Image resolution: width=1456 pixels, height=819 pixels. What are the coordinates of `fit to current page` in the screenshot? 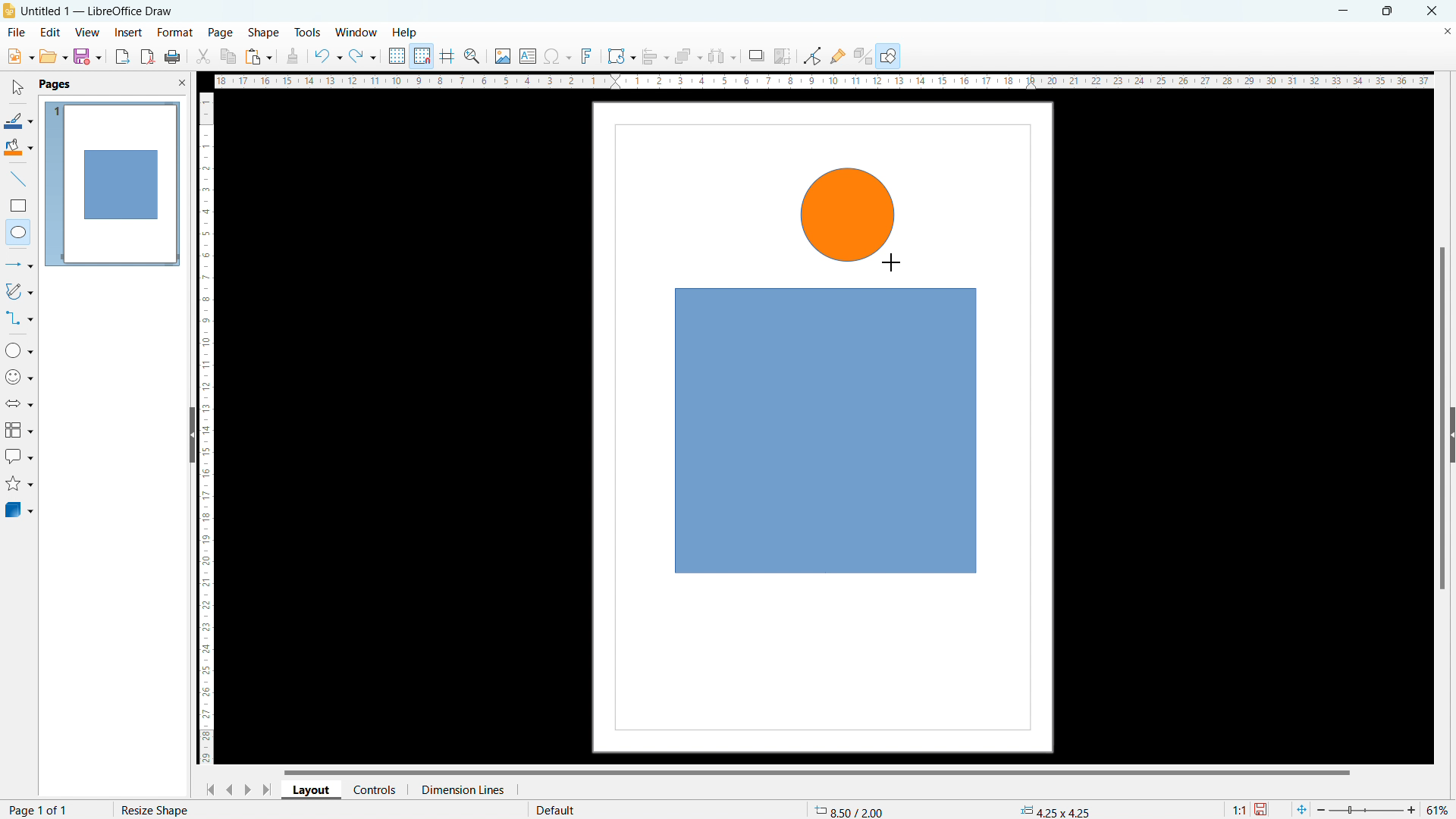 It's located at (1301, 809).